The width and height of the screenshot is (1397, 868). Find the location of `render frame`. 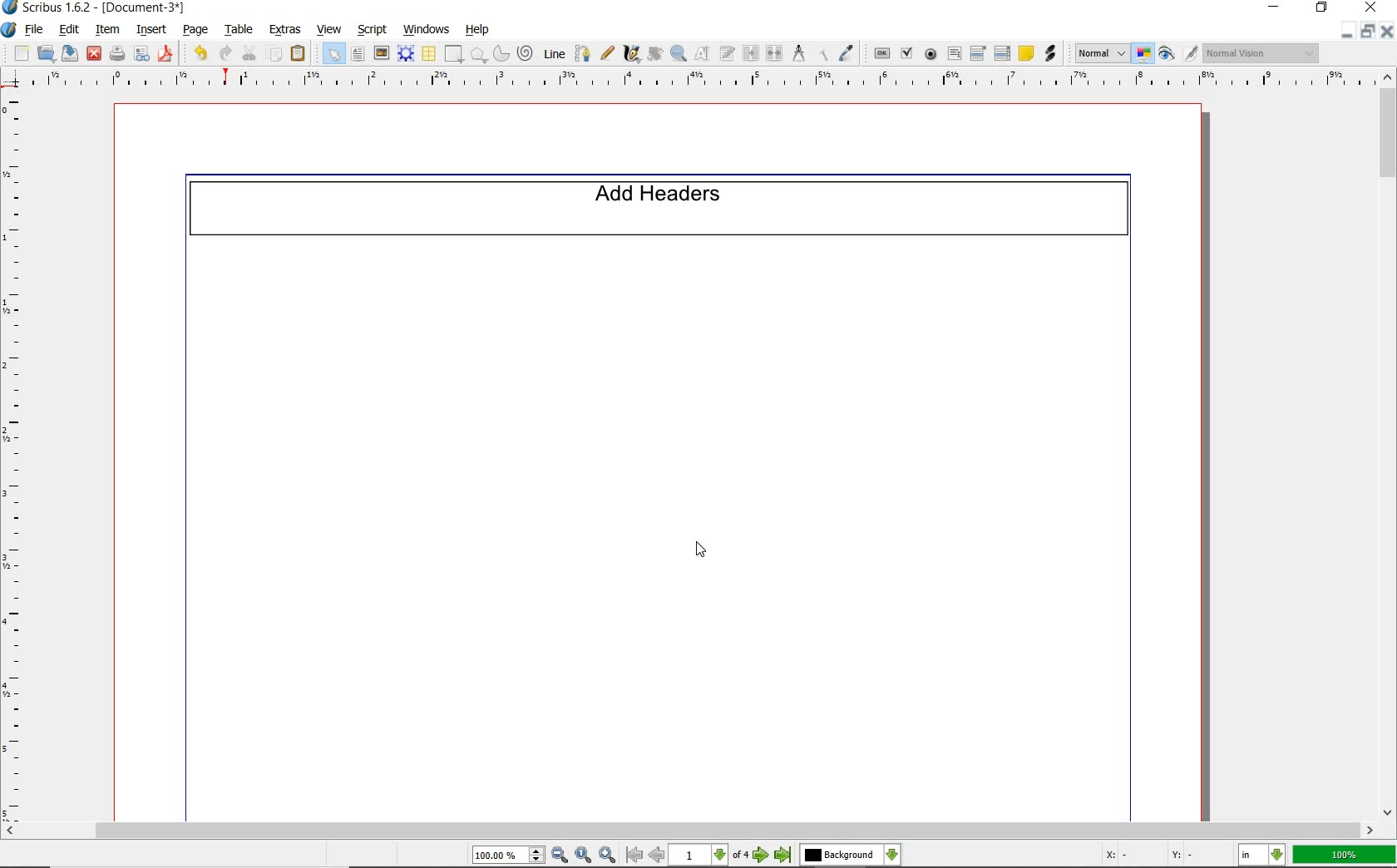

render frame is located at coordinates (407, 53).